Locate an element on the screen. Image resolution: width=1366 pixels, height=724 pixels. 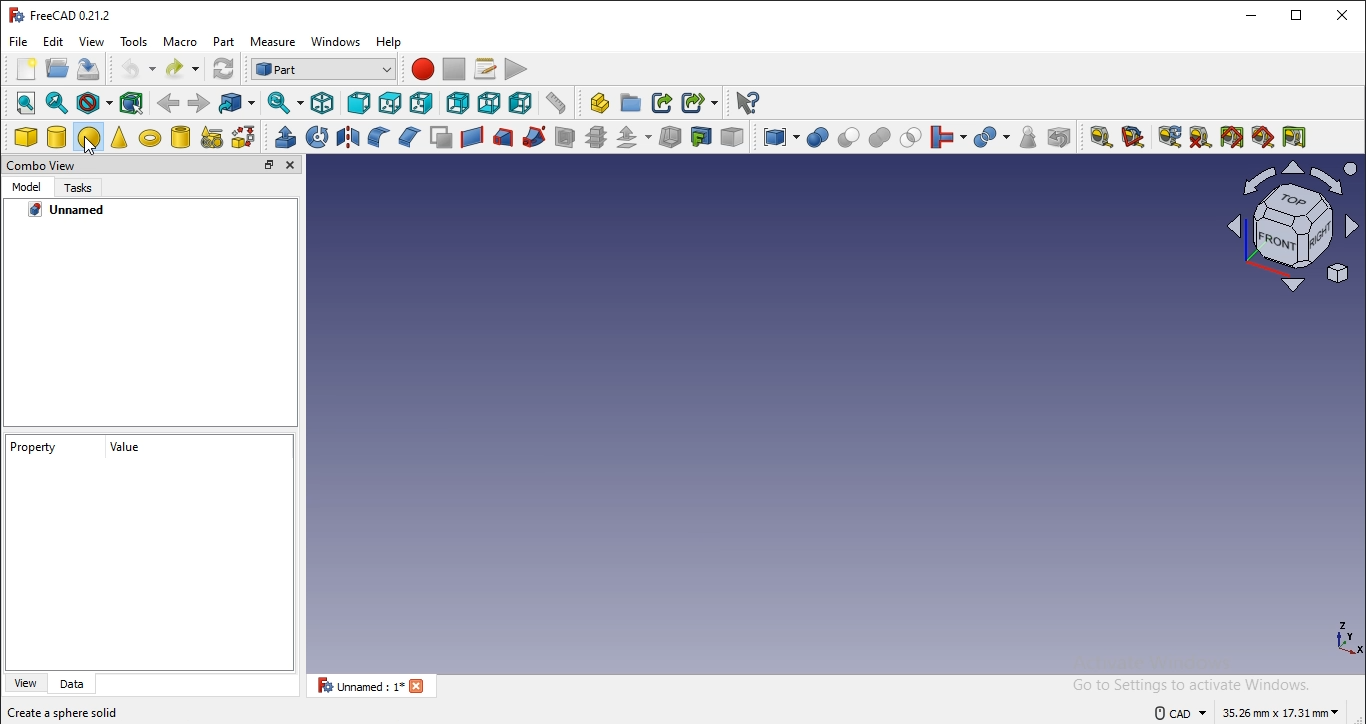
make face from wires is located at coordinates (440, 135).